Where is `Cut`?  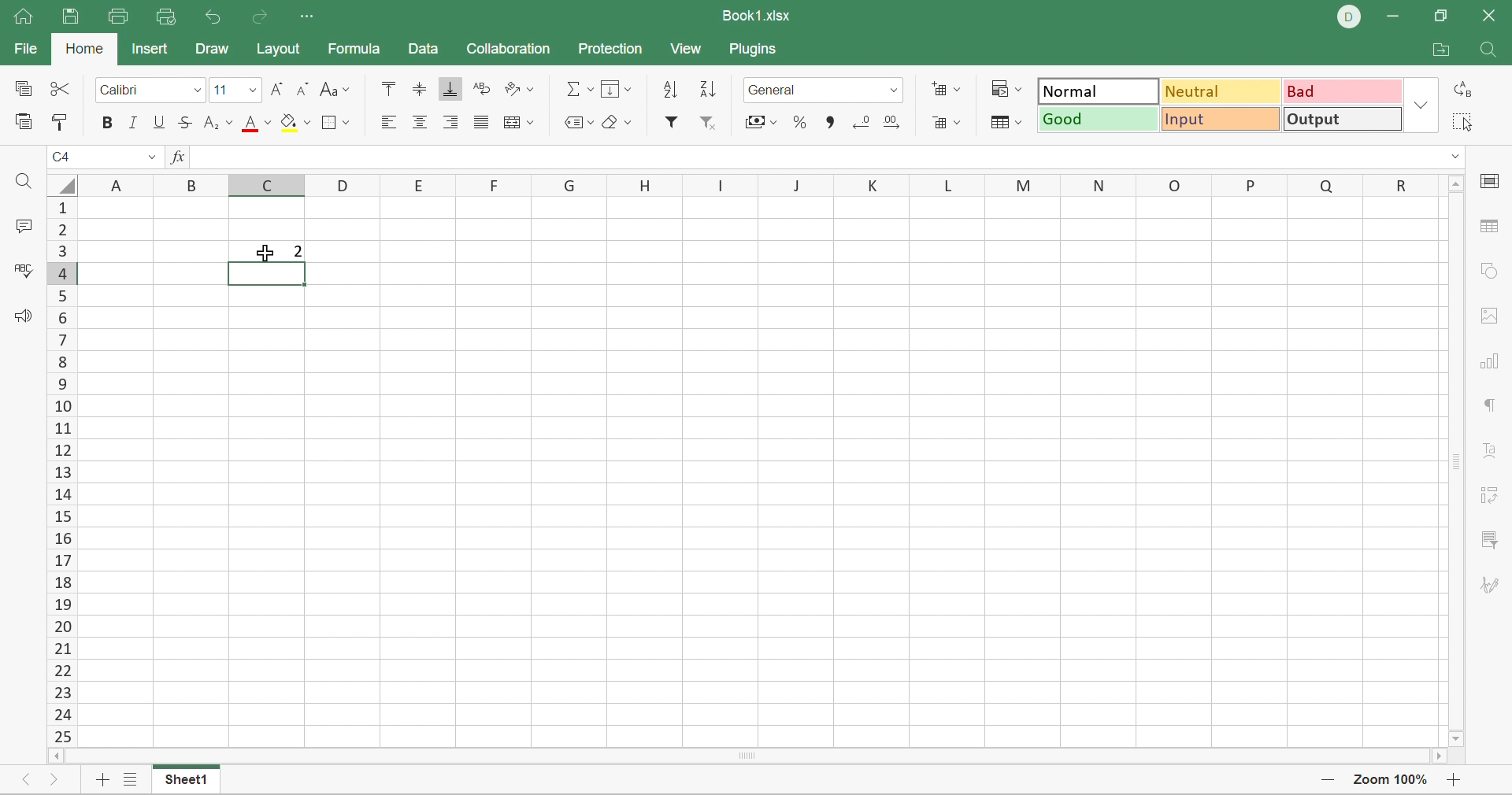 Cut is located at coordinates (61, 87).